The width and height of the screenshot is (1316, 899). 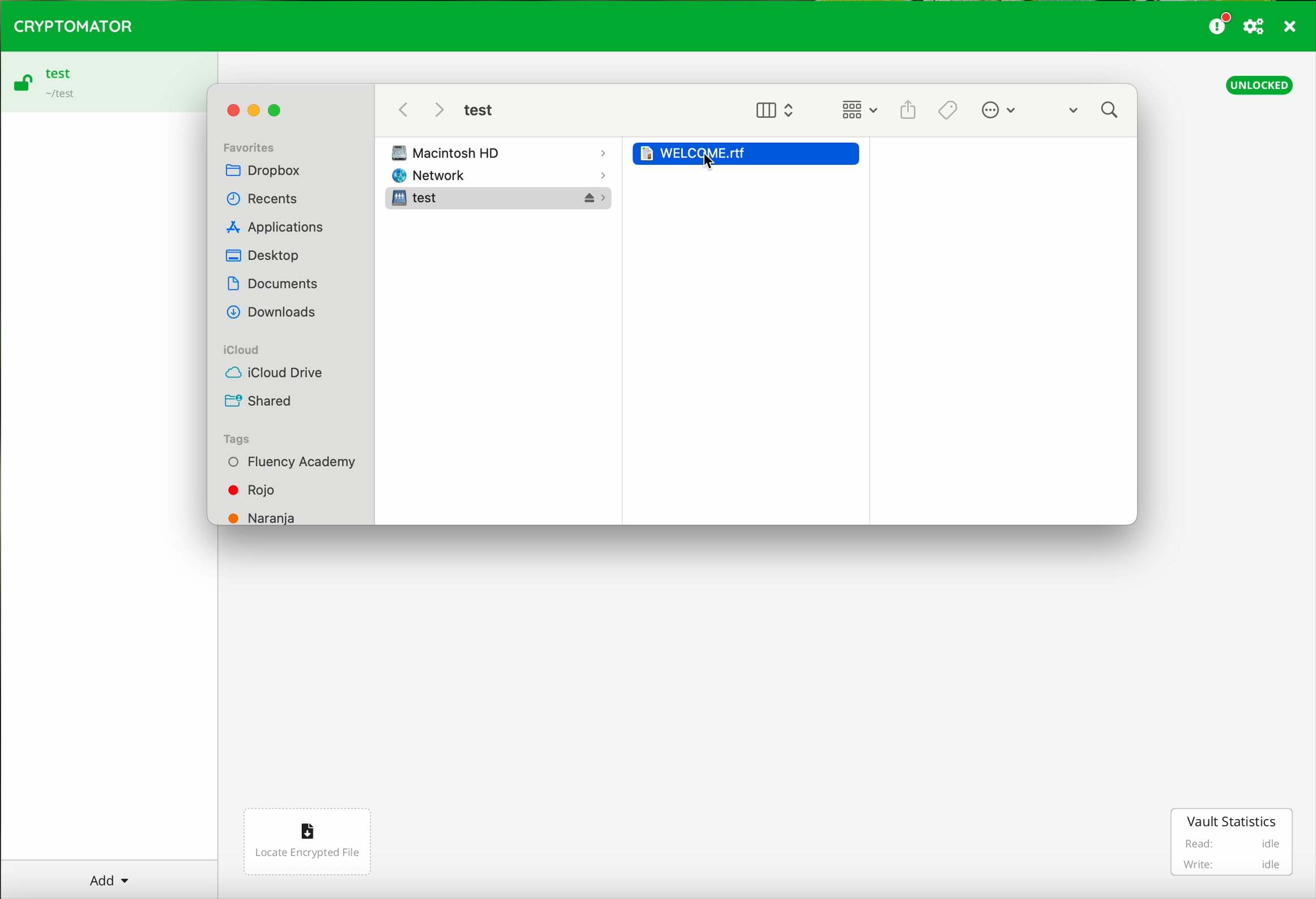 I want to click on Search, so click(x=1096, y=112).